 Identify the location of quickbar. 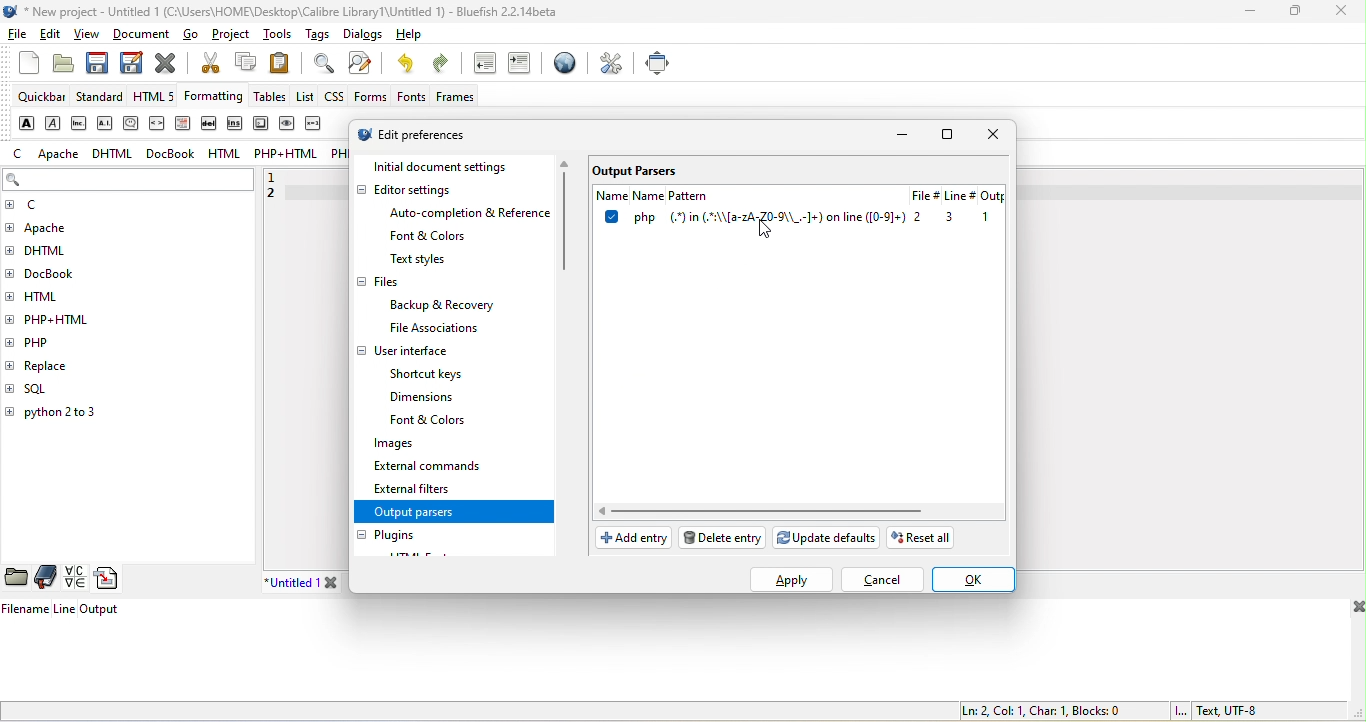
(41, 98).